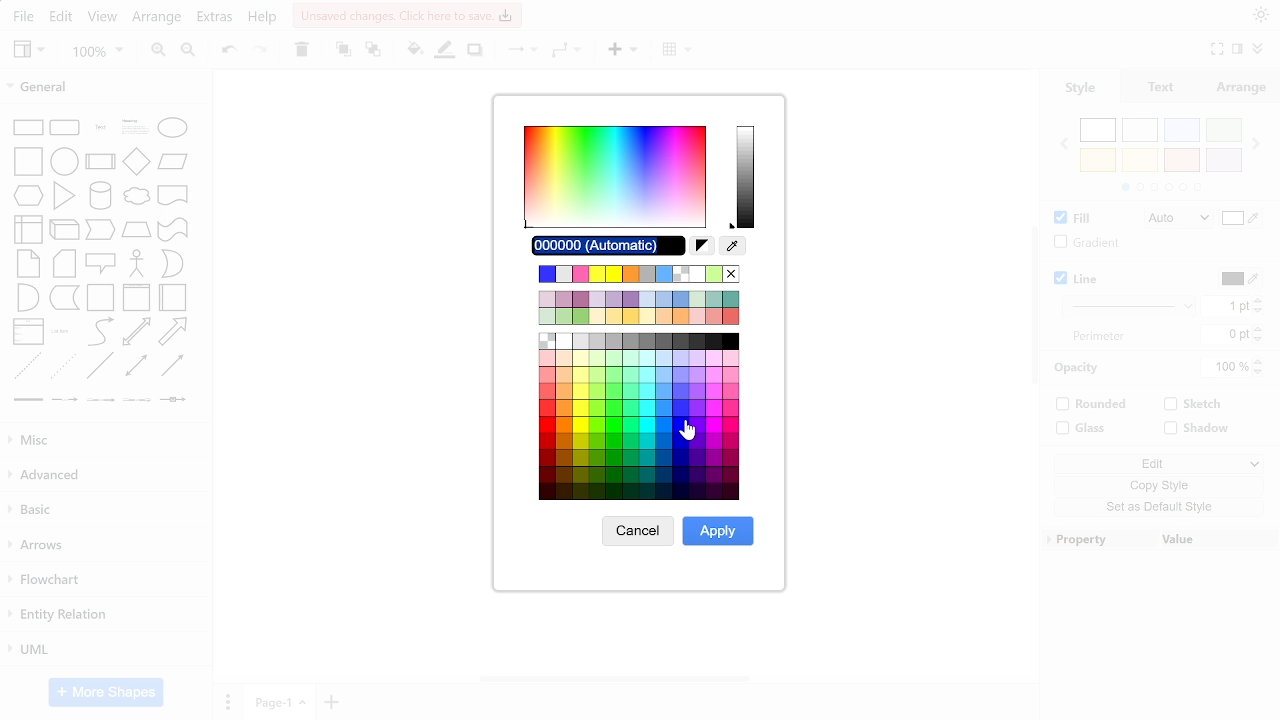 The width and height of the screenshot is (1280, 720). Describe the element at coordinates (1099, 336) in the screenshot. I see `text` at that location.